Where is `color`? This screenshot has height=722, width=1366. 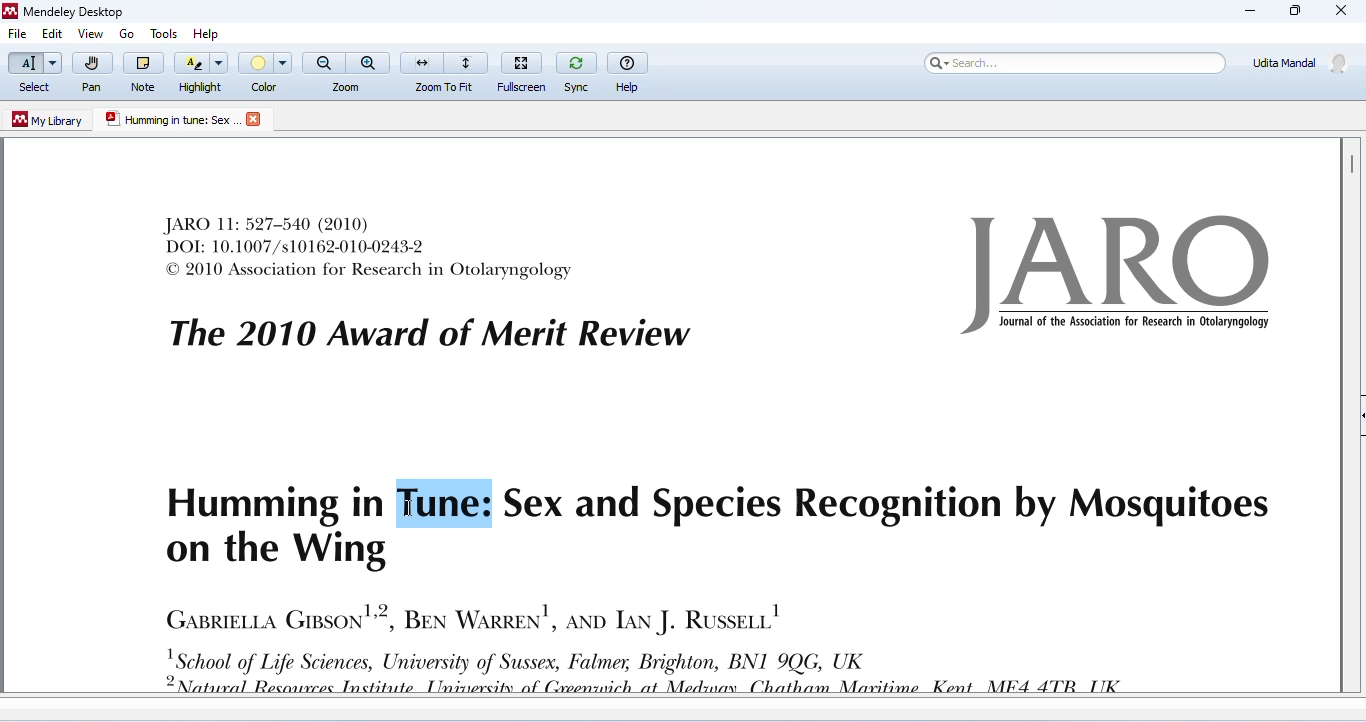
color is located at coordinates (267, 72).